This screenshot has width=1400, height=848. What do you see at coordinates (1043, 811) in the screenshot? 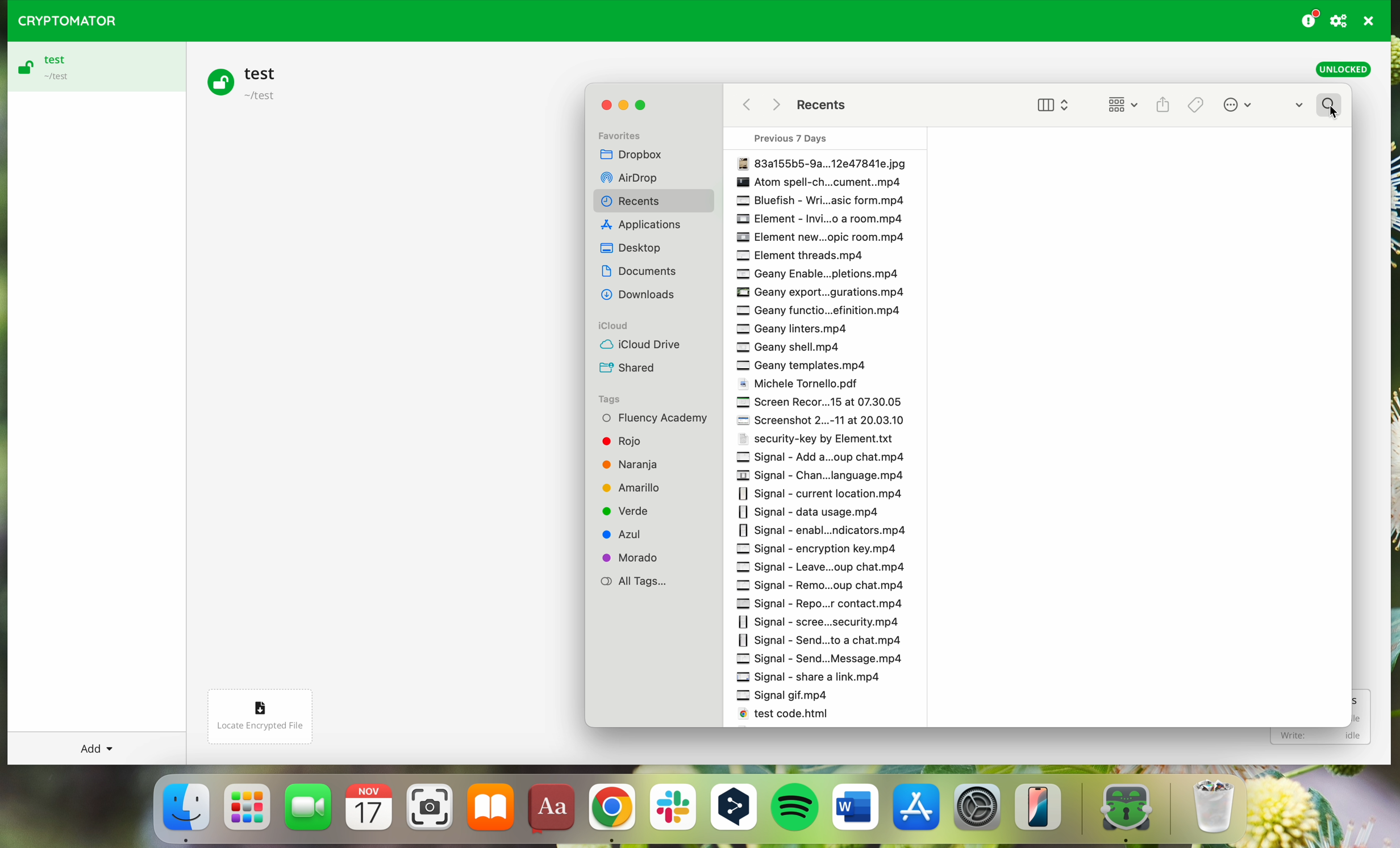
I see `iphone mirroning` at bounding box center [1043, 811].